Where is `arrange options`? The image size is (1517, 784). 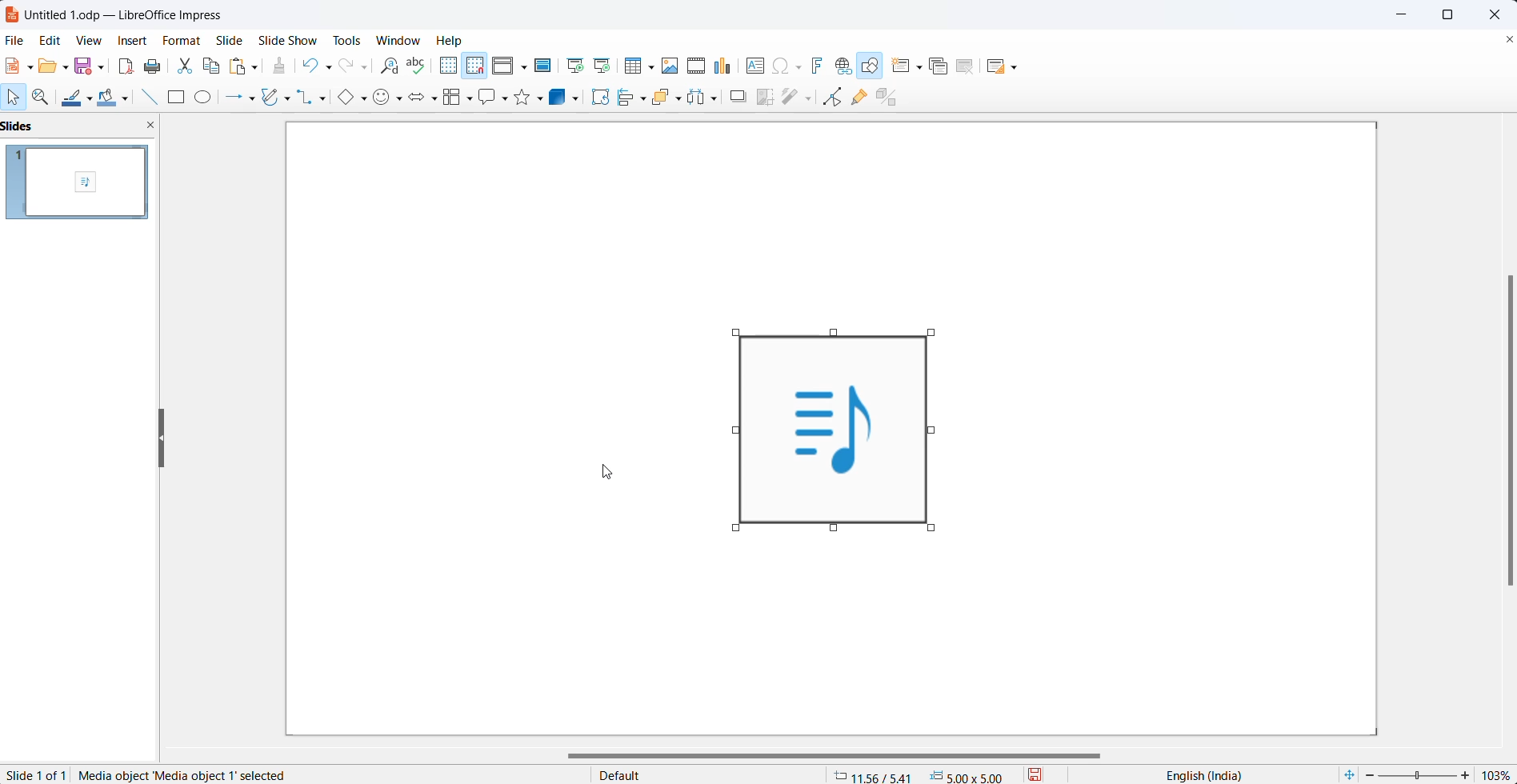 arrange options is located at coordinates (683, 100).